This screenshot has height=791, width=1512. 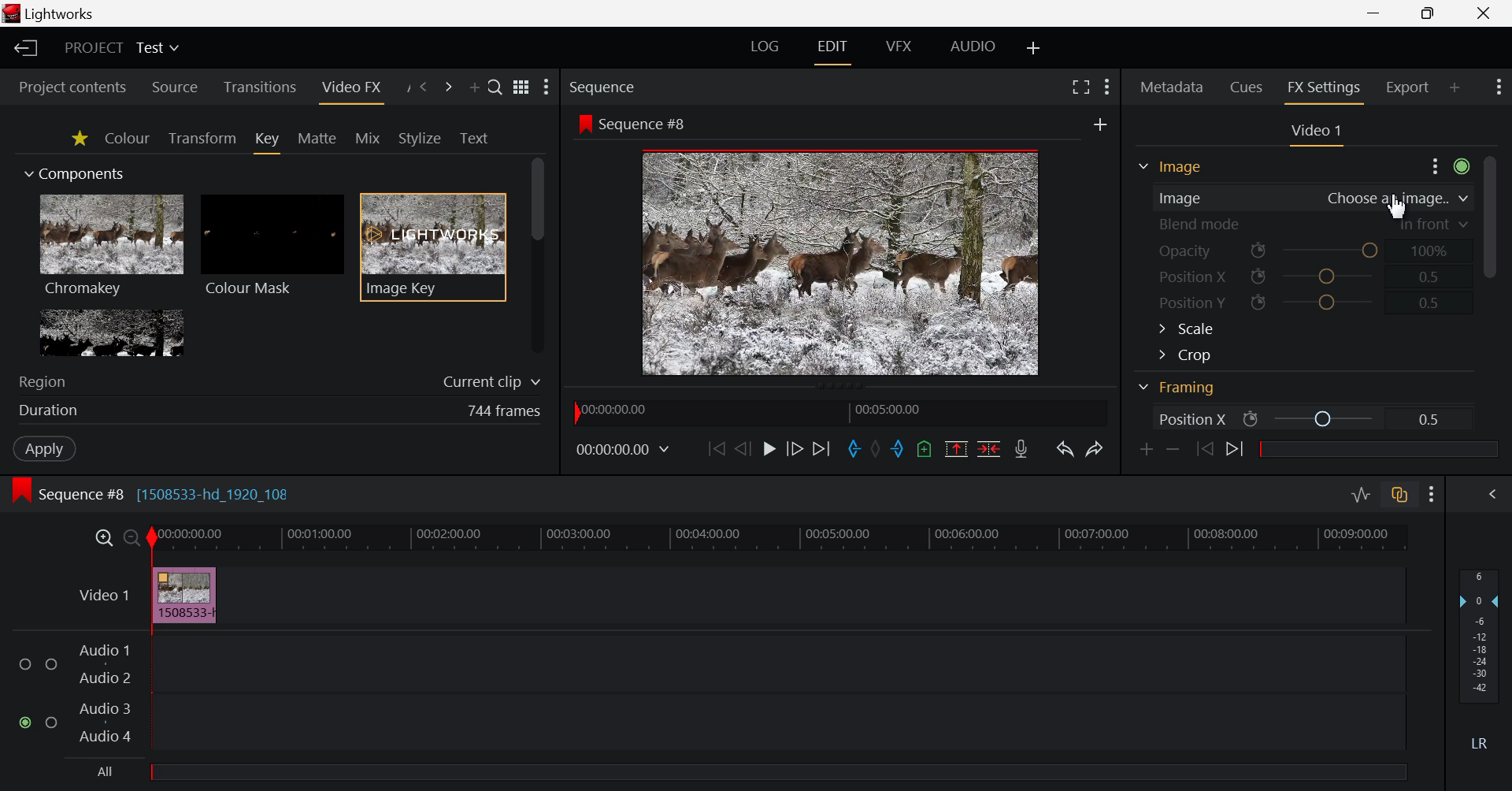 I want to click on Export, so click(x=1405, y=87).